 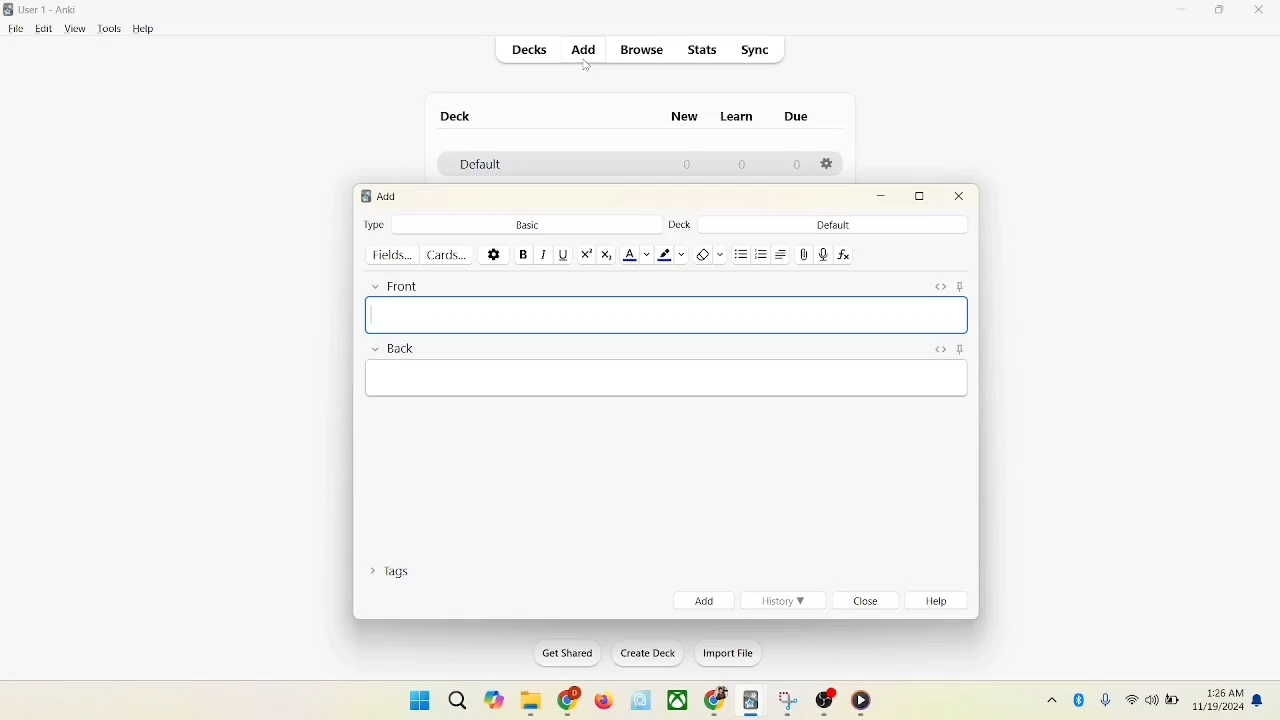 I want to click on applications, so click(x=678, y=701).